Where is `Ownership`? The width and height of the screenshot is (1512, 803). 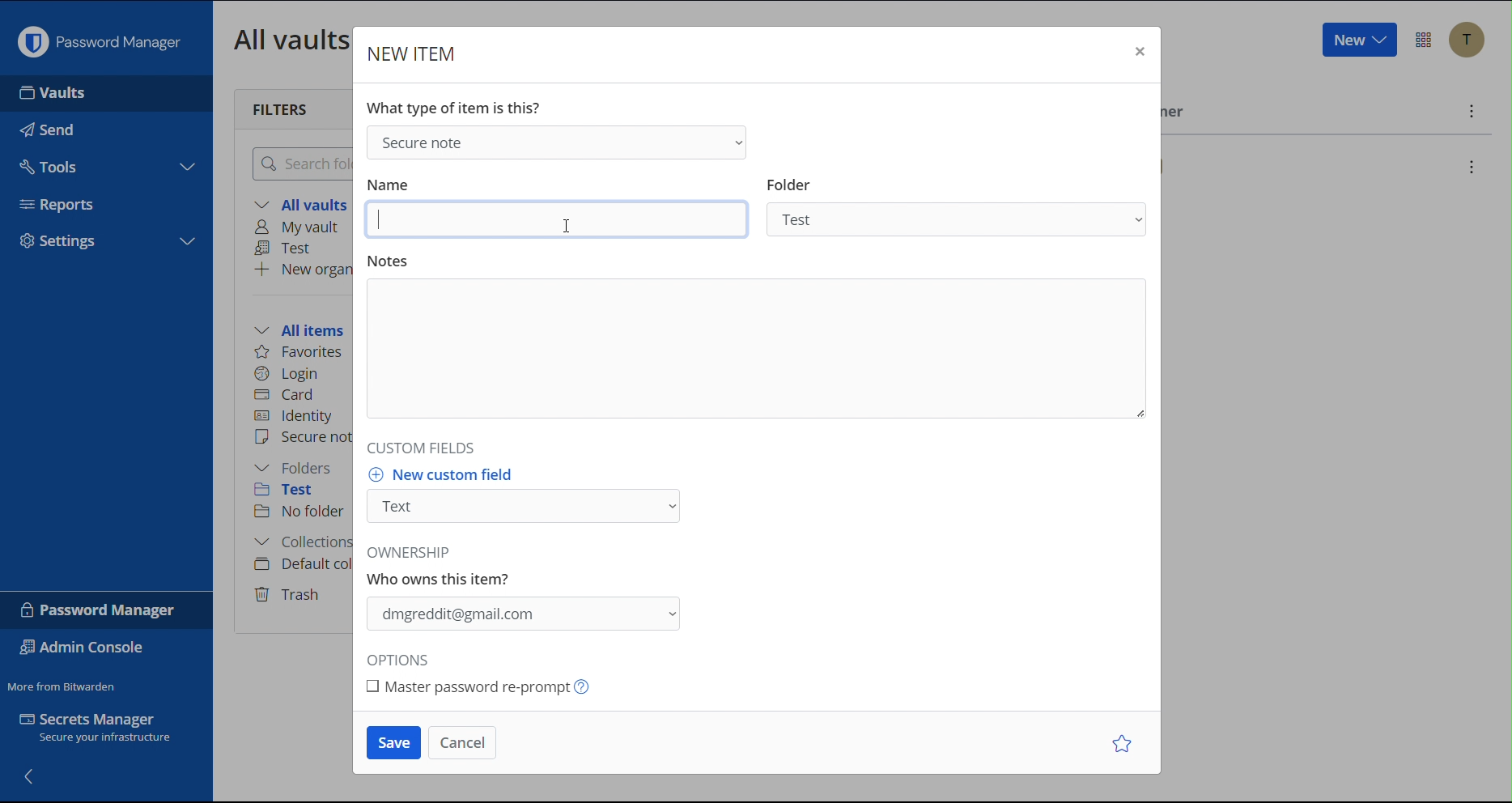 Ownership is located at coordinates (529, 593).